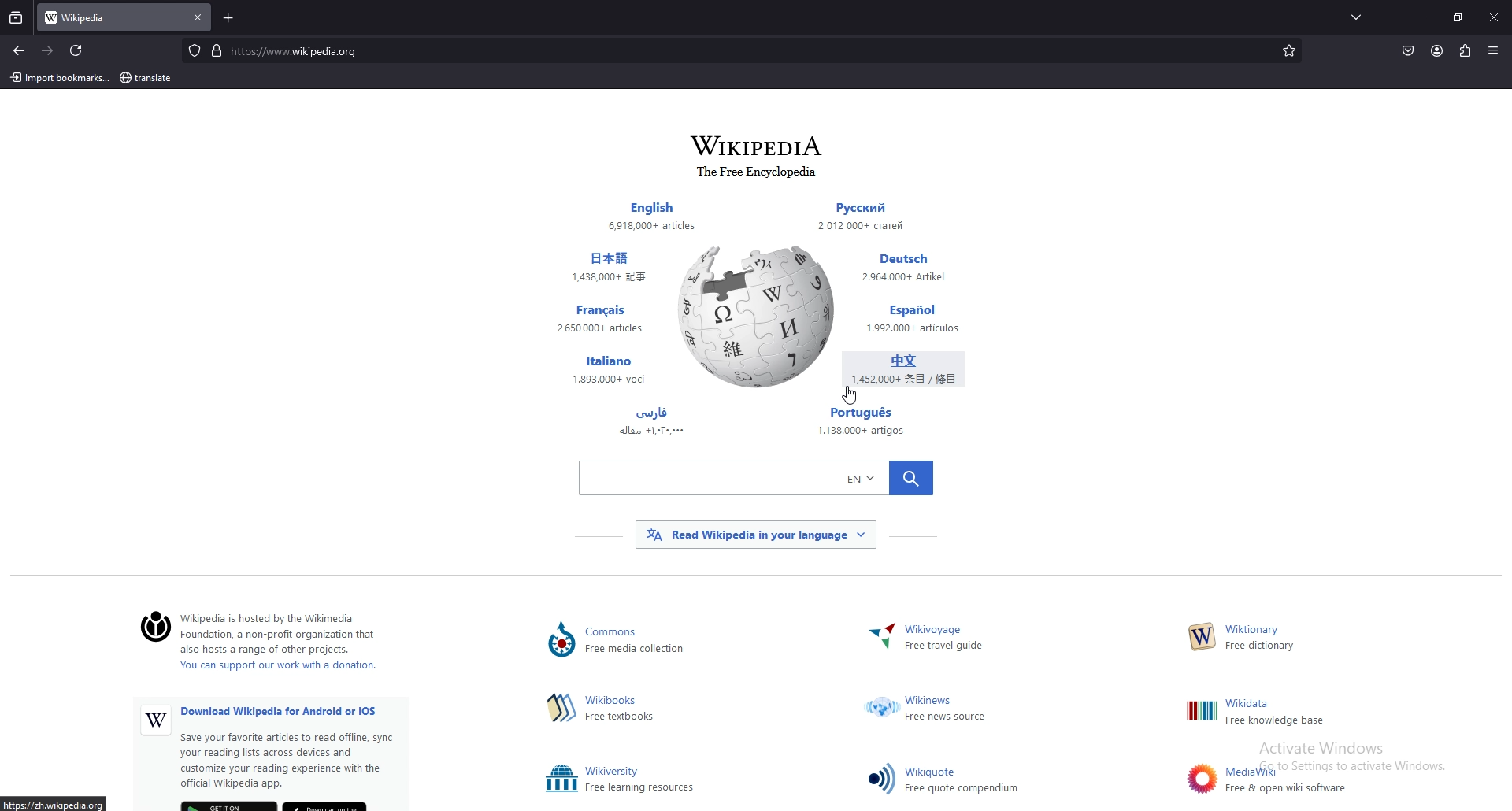 This screenshot has height=811, width=1512. Describe the element at coordinates (1259, 639) in the screenshot. I see `W—
Free dictionary` at that location.